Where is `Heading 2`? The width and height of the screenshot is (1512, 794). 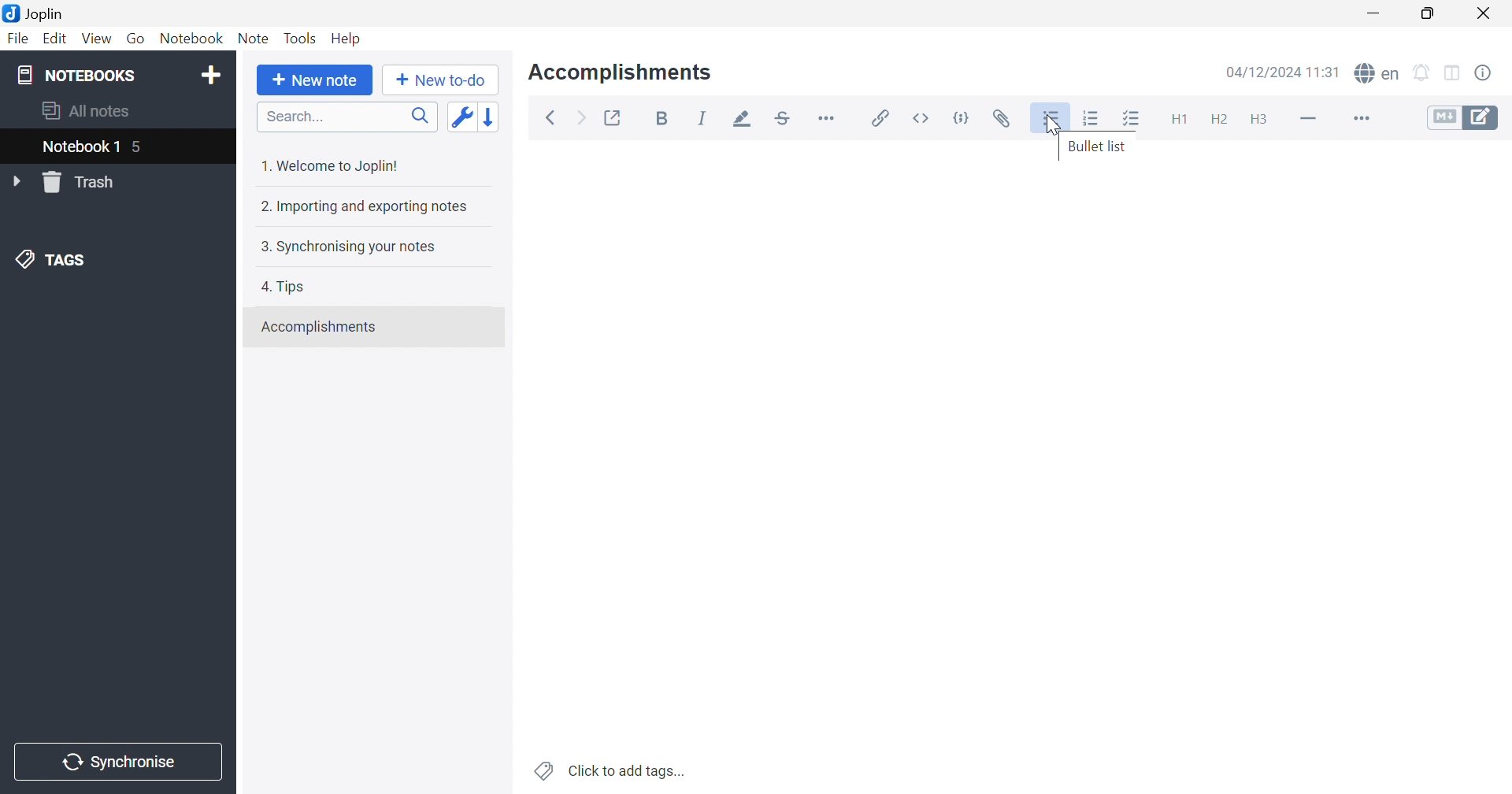 Heading 2 is located at coordinates (1217, 117).